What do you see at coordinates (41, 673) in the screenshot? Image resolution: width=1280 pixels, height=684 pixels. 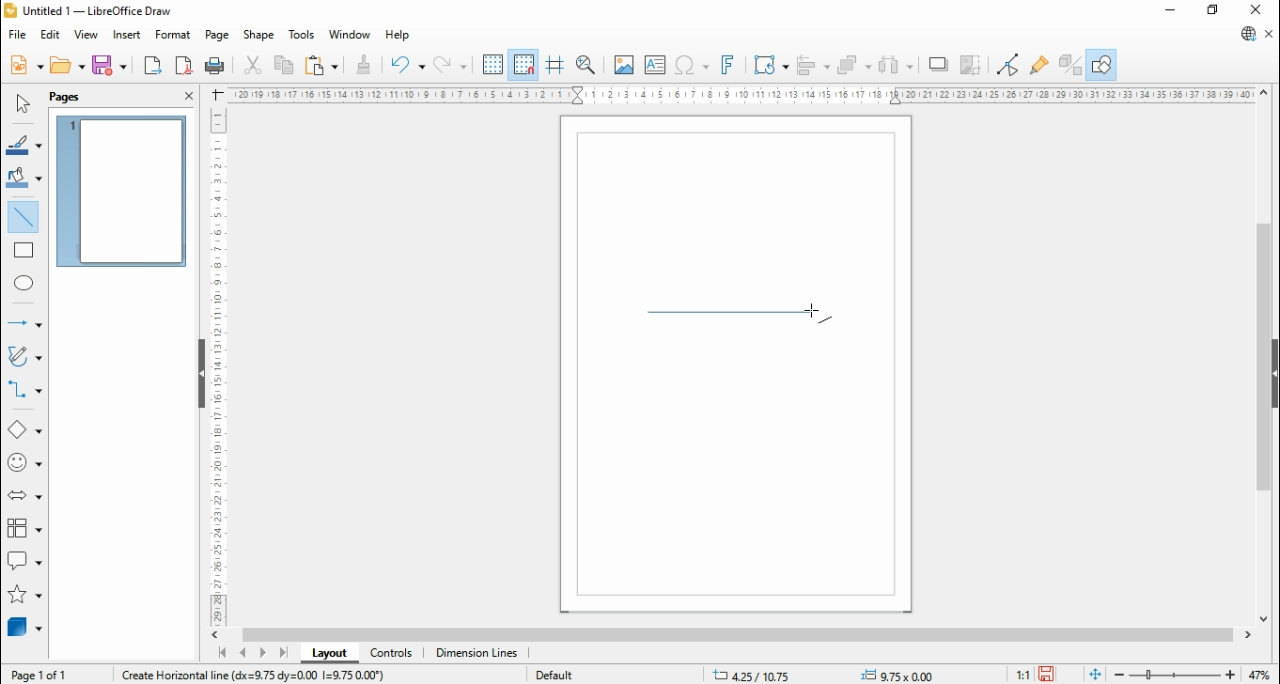 I see `page 1 of 1` at bounding box center [41, 673].